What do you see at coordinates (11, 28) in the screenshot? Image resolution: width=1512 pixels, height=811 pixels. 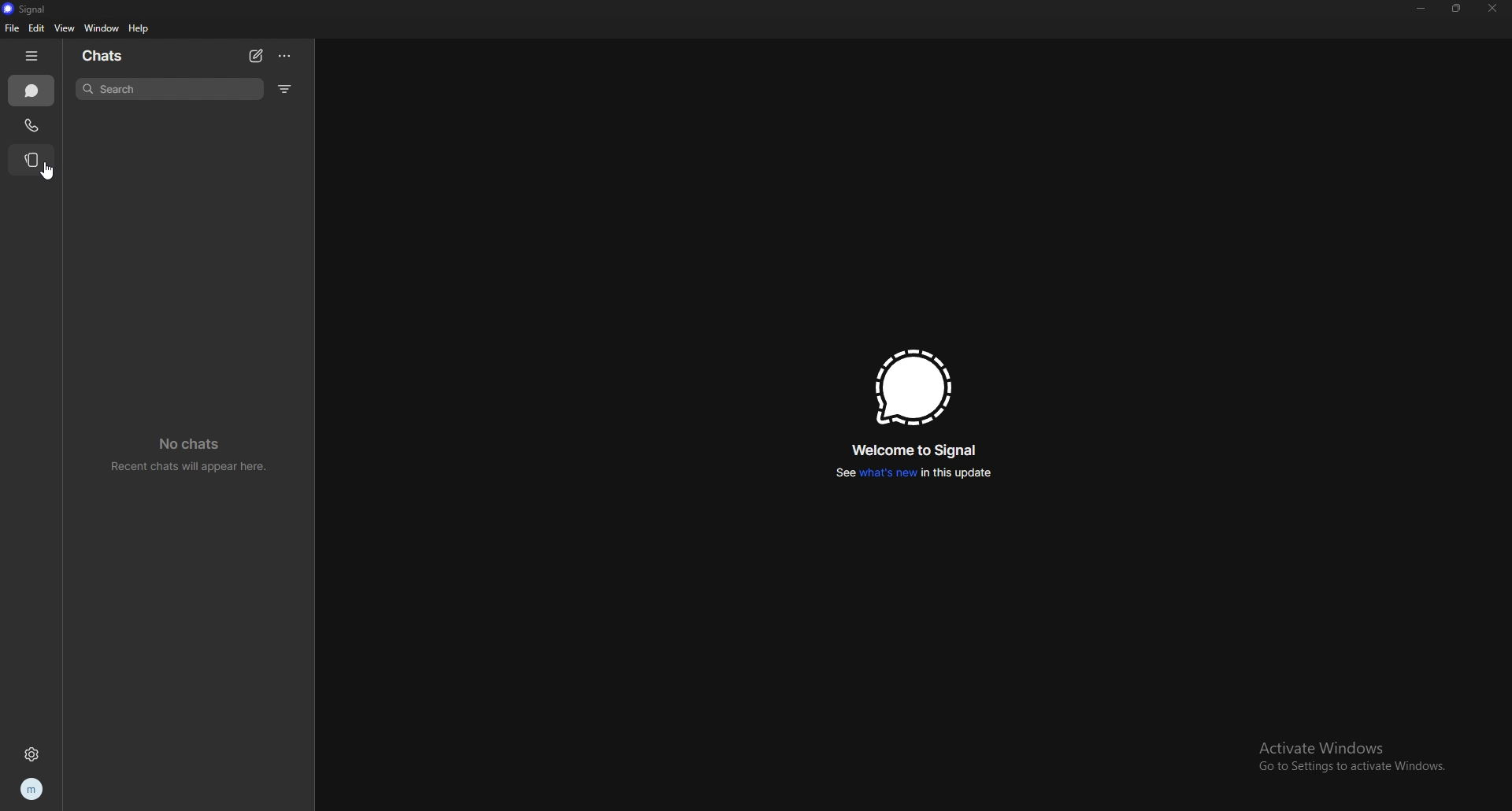 I see `file` at bounding box center [11, 28].